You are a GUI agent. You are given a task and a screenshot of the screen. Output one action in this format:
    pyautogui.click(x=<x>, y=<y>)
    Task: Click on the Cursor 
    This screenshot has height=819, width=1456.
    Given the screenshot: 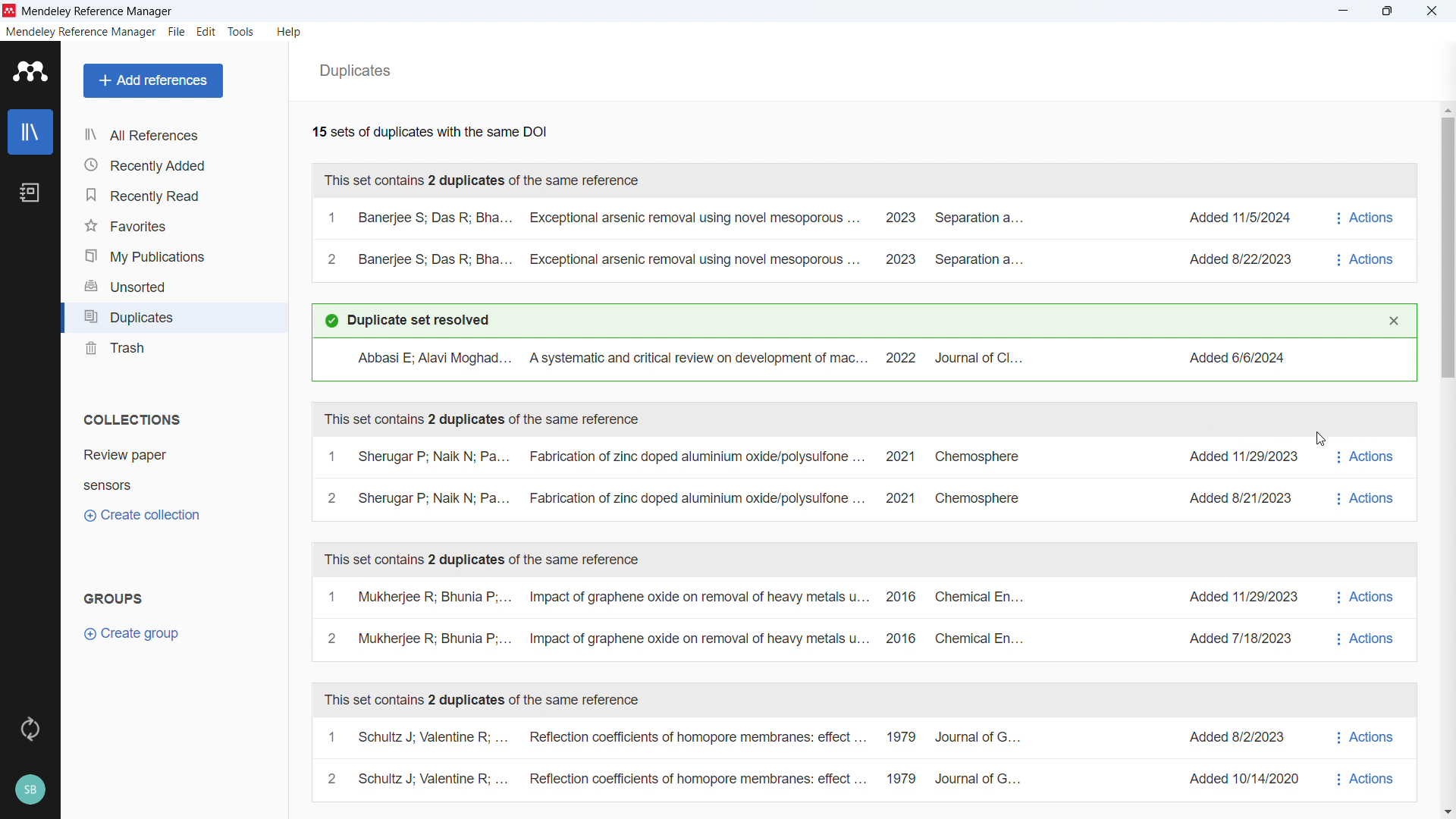 What is the action you would take?
    pyautogui.click(x=1319, y=442)
    